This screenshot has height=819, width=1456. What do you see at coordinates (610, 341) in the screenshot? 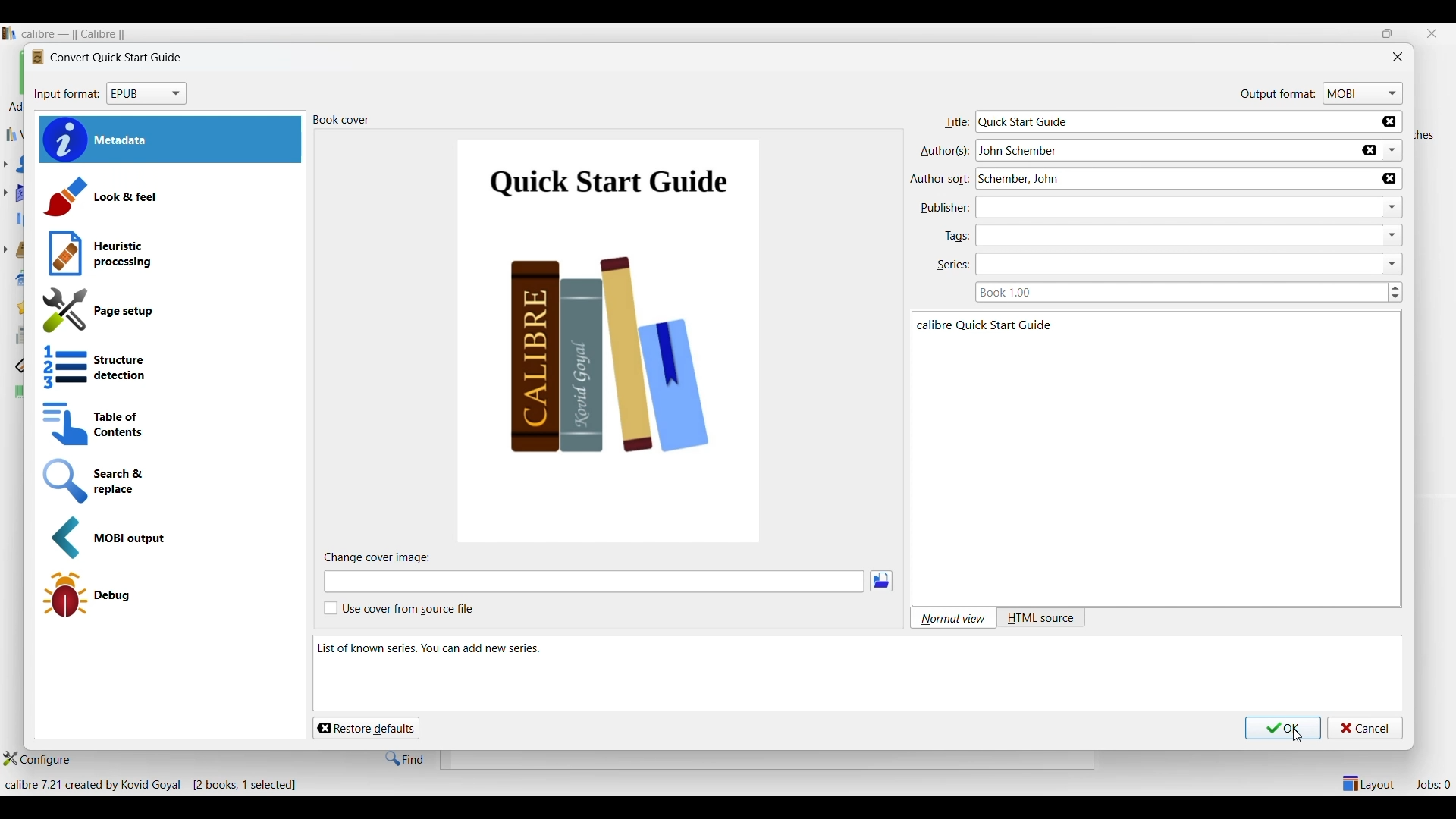
I see `Current book cover` at bounding box center [610, 341].